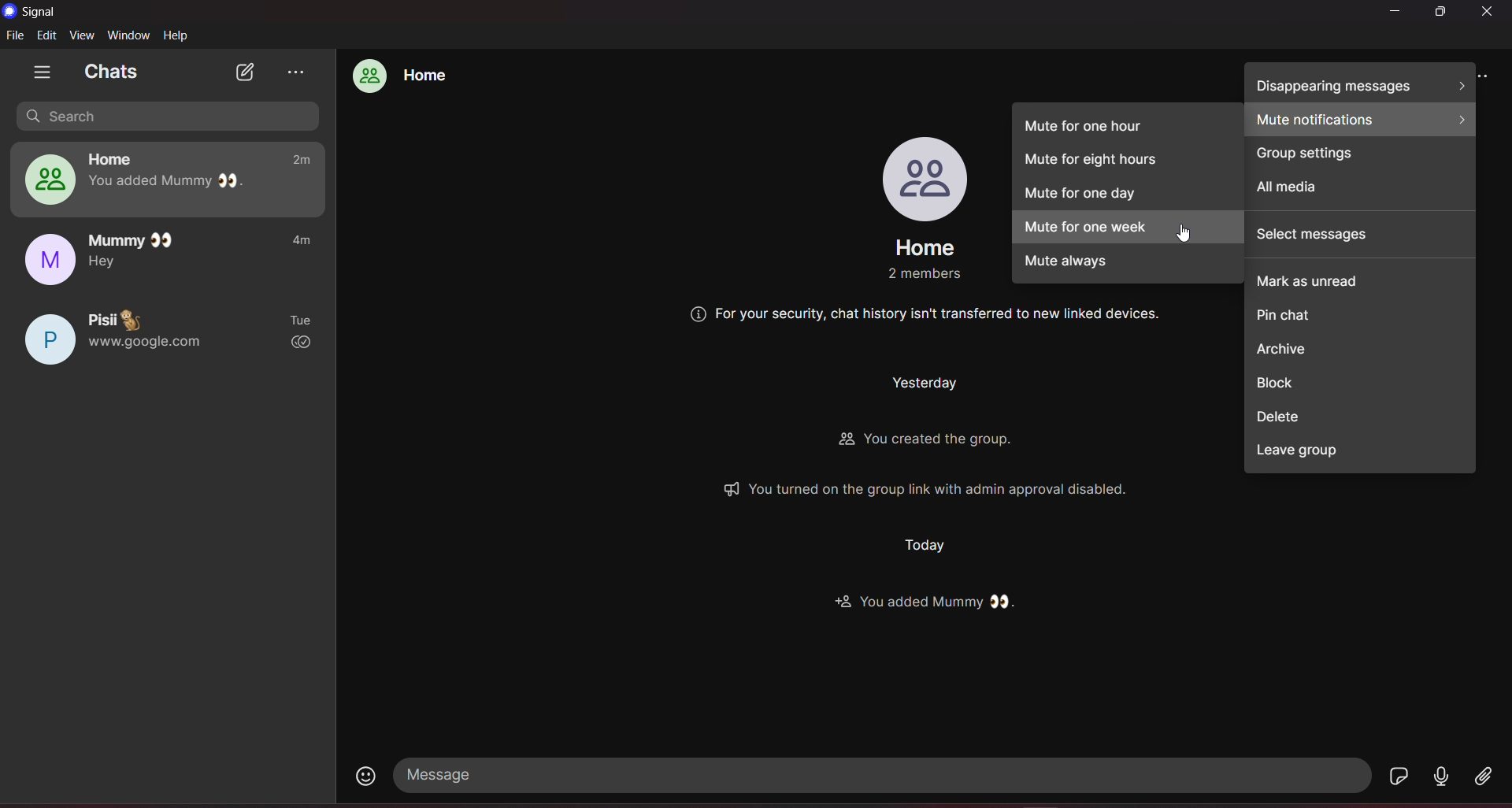  Describe the element at coordinates (117, 72) in the screenshot. I see `chats` at that location.